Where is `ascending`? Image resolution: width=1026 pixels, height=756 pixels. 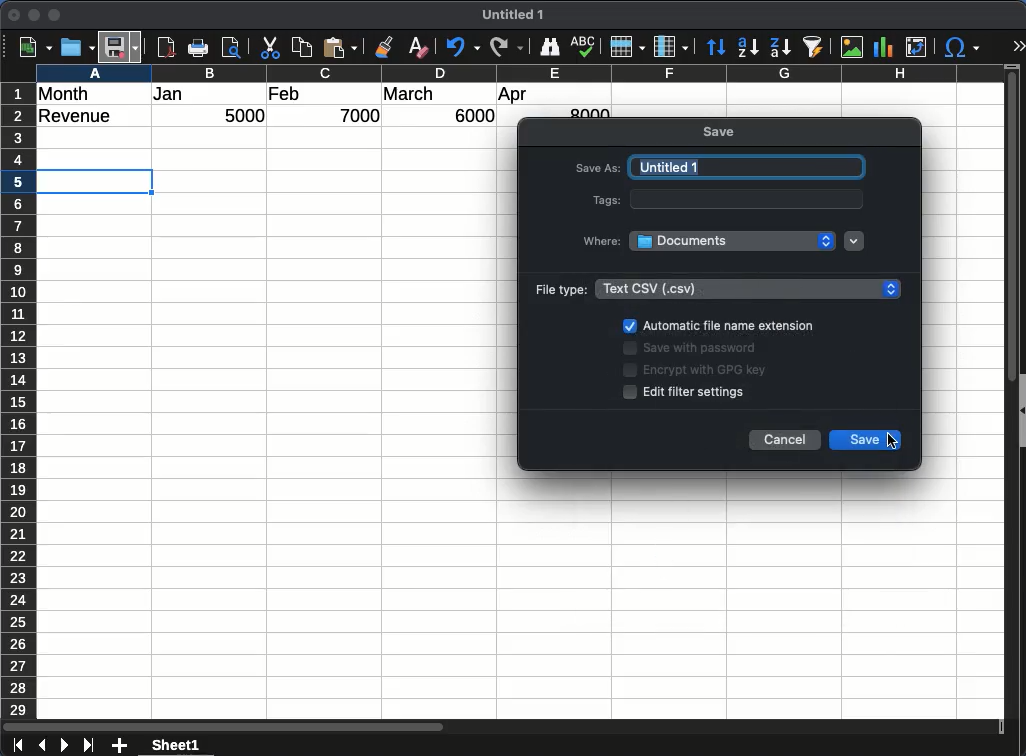 ascending is located at coordinates (748, 47).